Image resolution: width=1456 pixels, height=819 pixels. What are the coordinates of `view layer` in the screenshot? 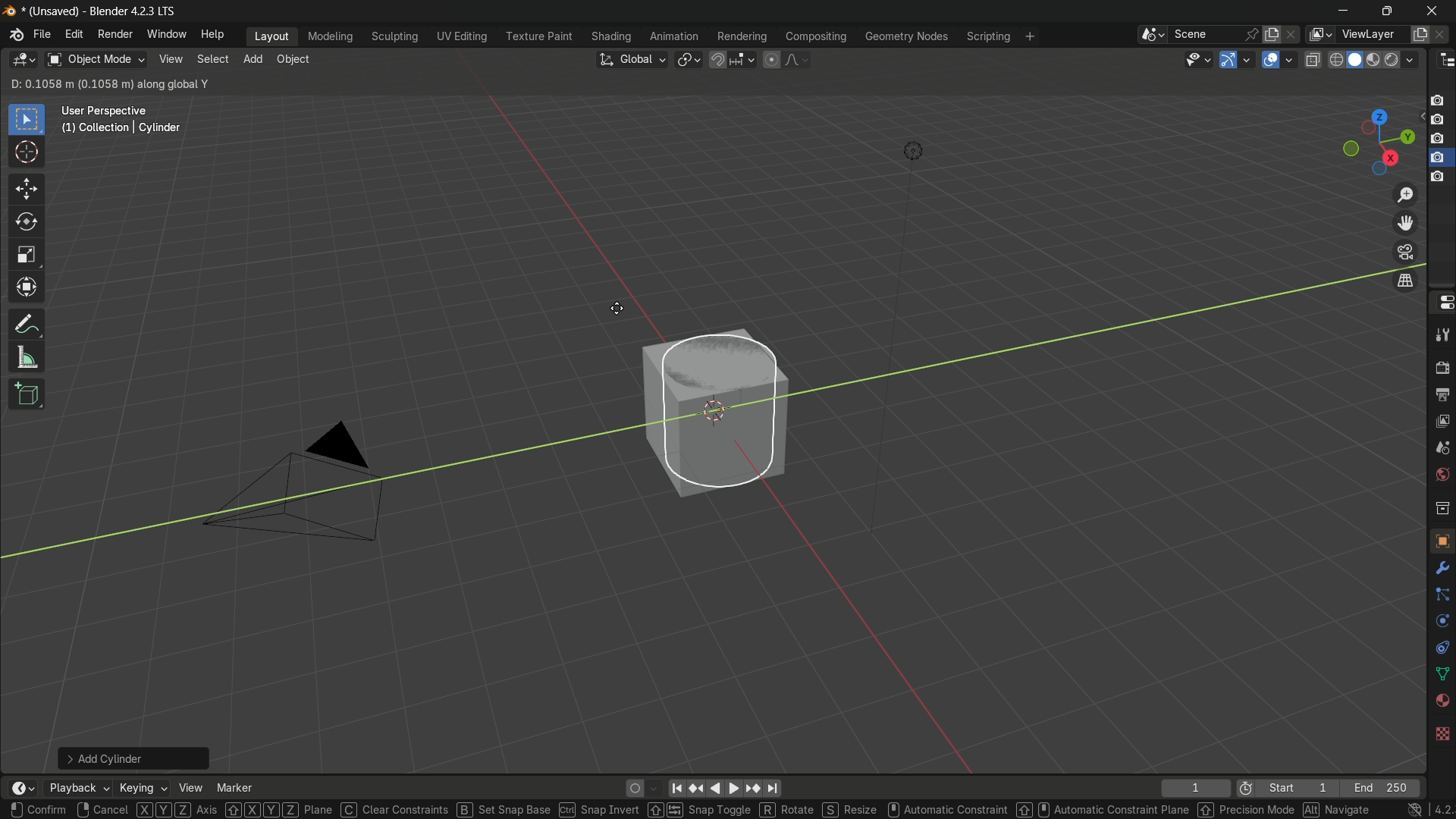 It's located at (1441, 421).